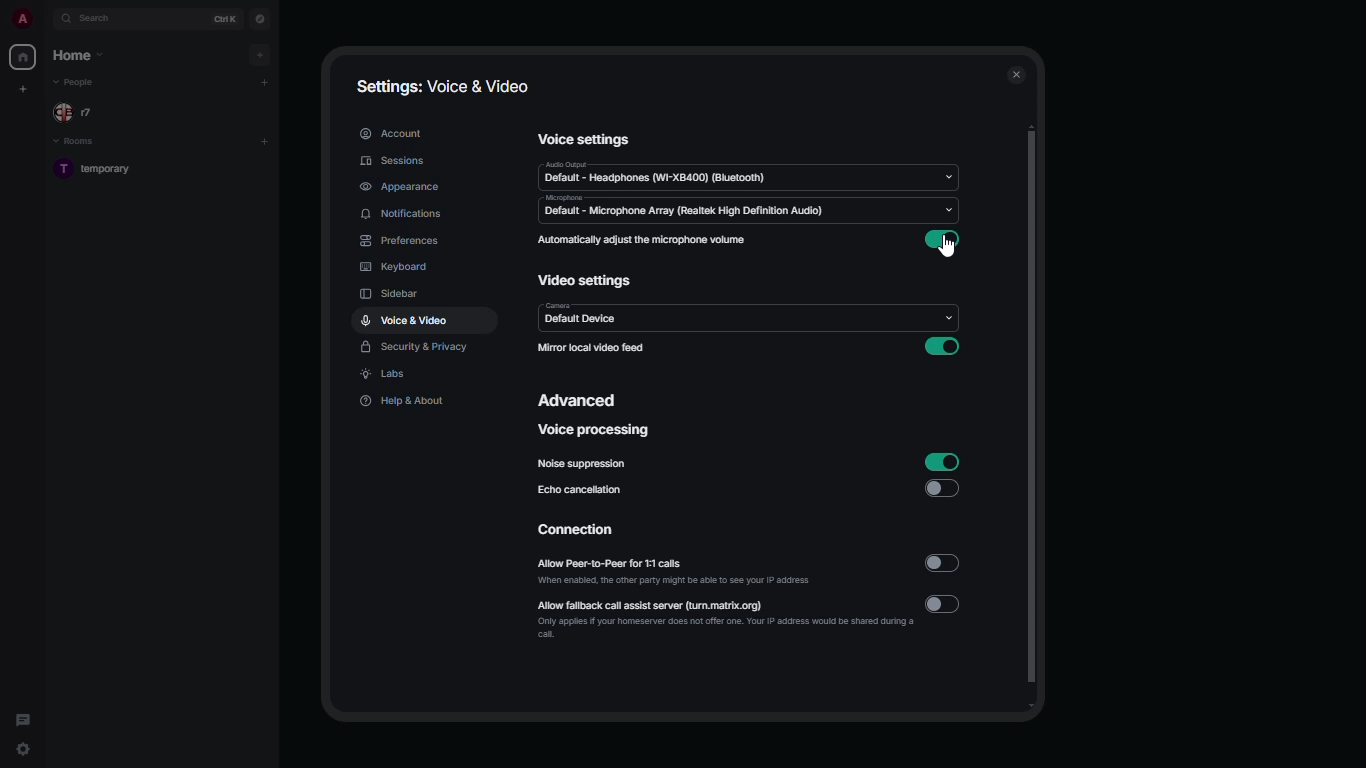 Image resolution: width=1366 pixels, height=768 pixels. What do you see at coordinates (23, 89) in the screenshot?
I see `create new space` at bounding box center [23, 89].